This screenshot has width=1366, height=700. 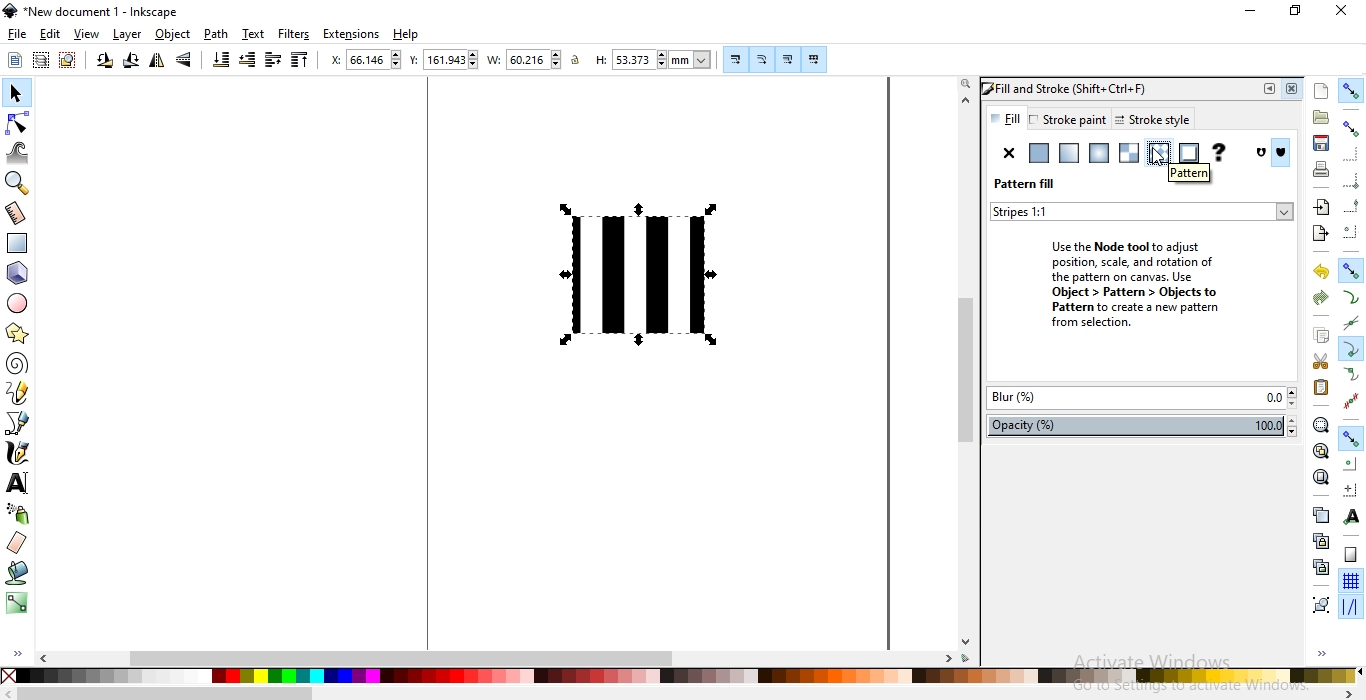 What do you see at coordinates (18, 274) in the screenshot?
I see `create 3d boxes` at bounding box center [18, 274].